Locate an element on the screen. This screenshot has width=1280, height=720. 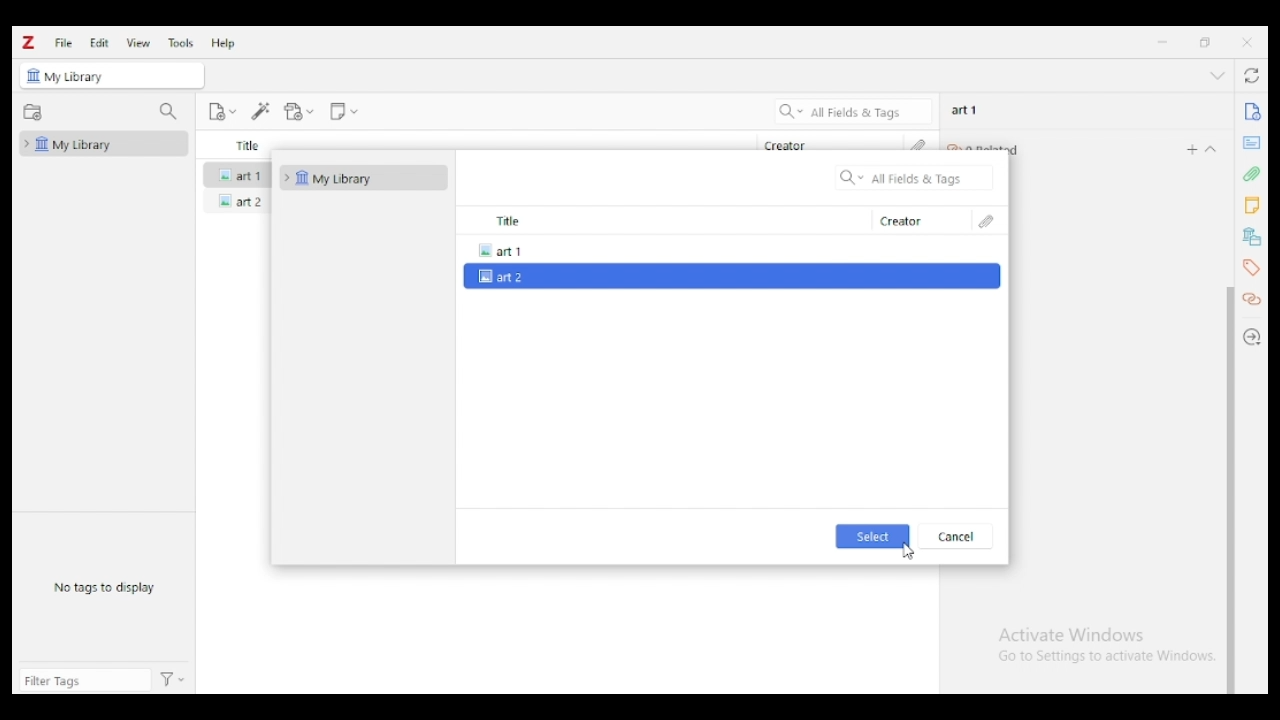
tools is located at coordinates (182, 43).